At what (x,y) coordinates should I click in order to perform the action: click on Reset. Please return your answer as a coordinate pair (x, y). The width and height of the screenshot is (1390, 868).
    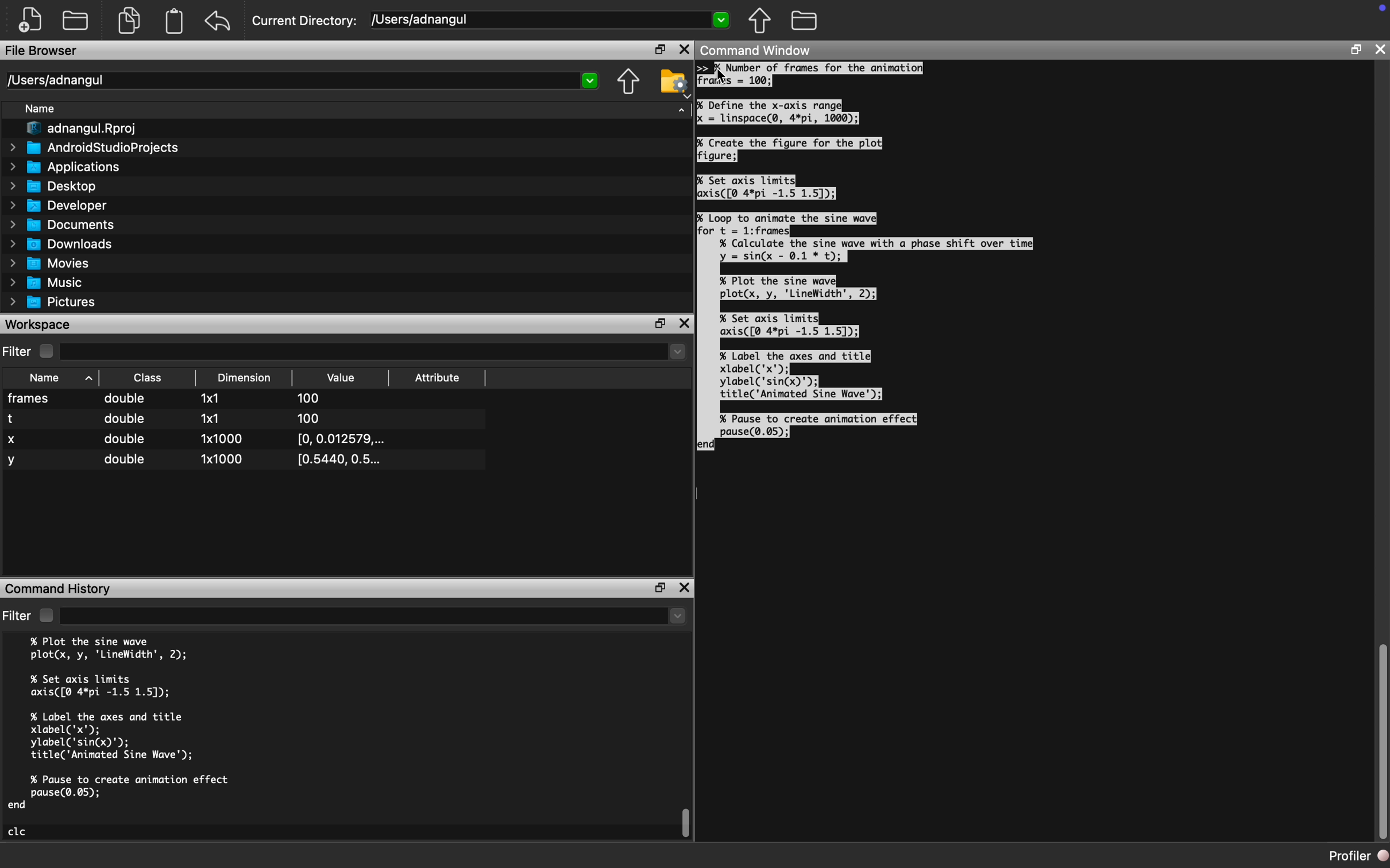
    Looking at the image, I should click on (218, 22).